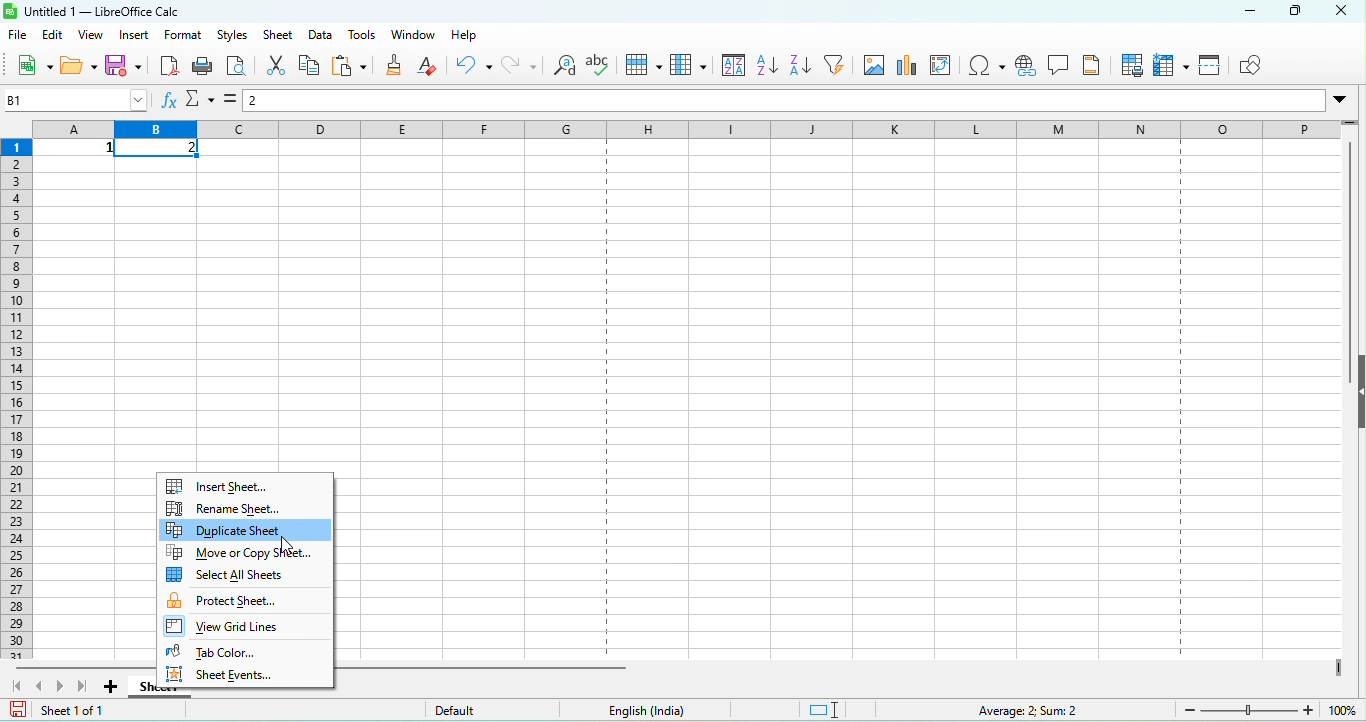 The width and height of the screenshot is (1366, 722). What do you see at coordinates (70, 711) in the screenshot?
I see `sheet 1 of 1` at bounding box center [70, 711].